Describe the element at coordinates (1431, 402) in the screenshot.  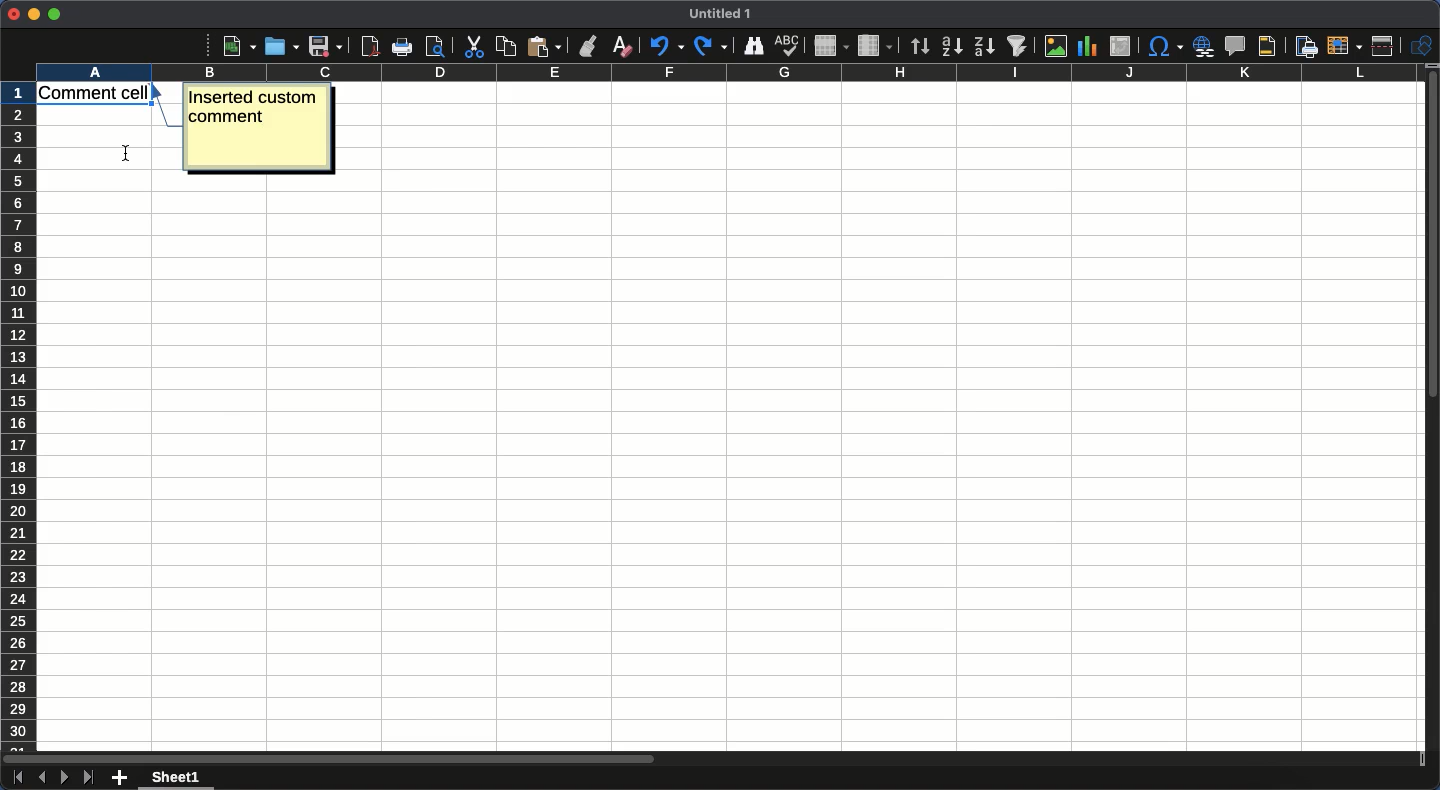
I see `Scroll` at that location.